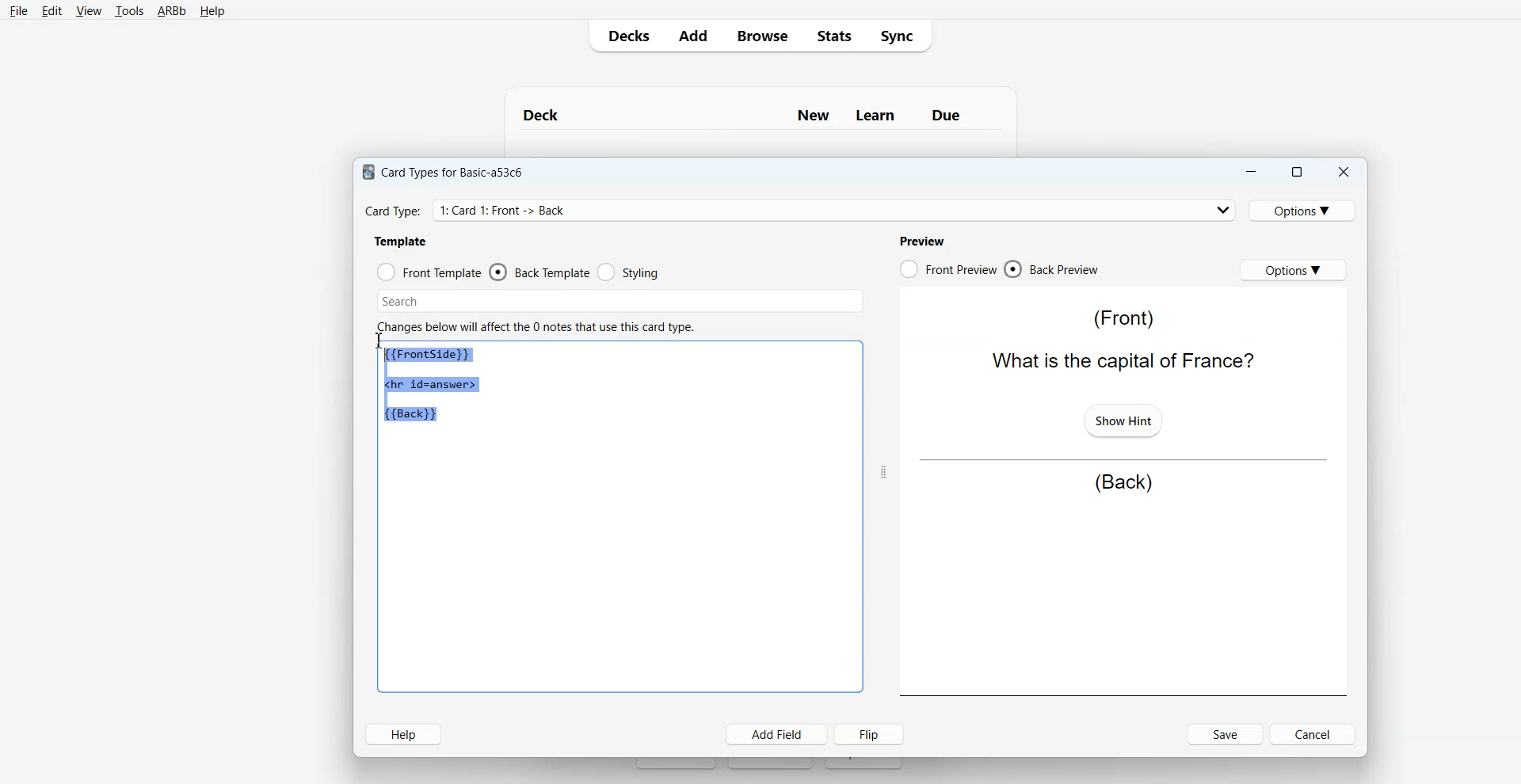 This screenshot has width=1521, height=784. What do you see at coordinates (1249, 172) in the screenshot?
I see `Minimize` at bounding box center [1249, 172].